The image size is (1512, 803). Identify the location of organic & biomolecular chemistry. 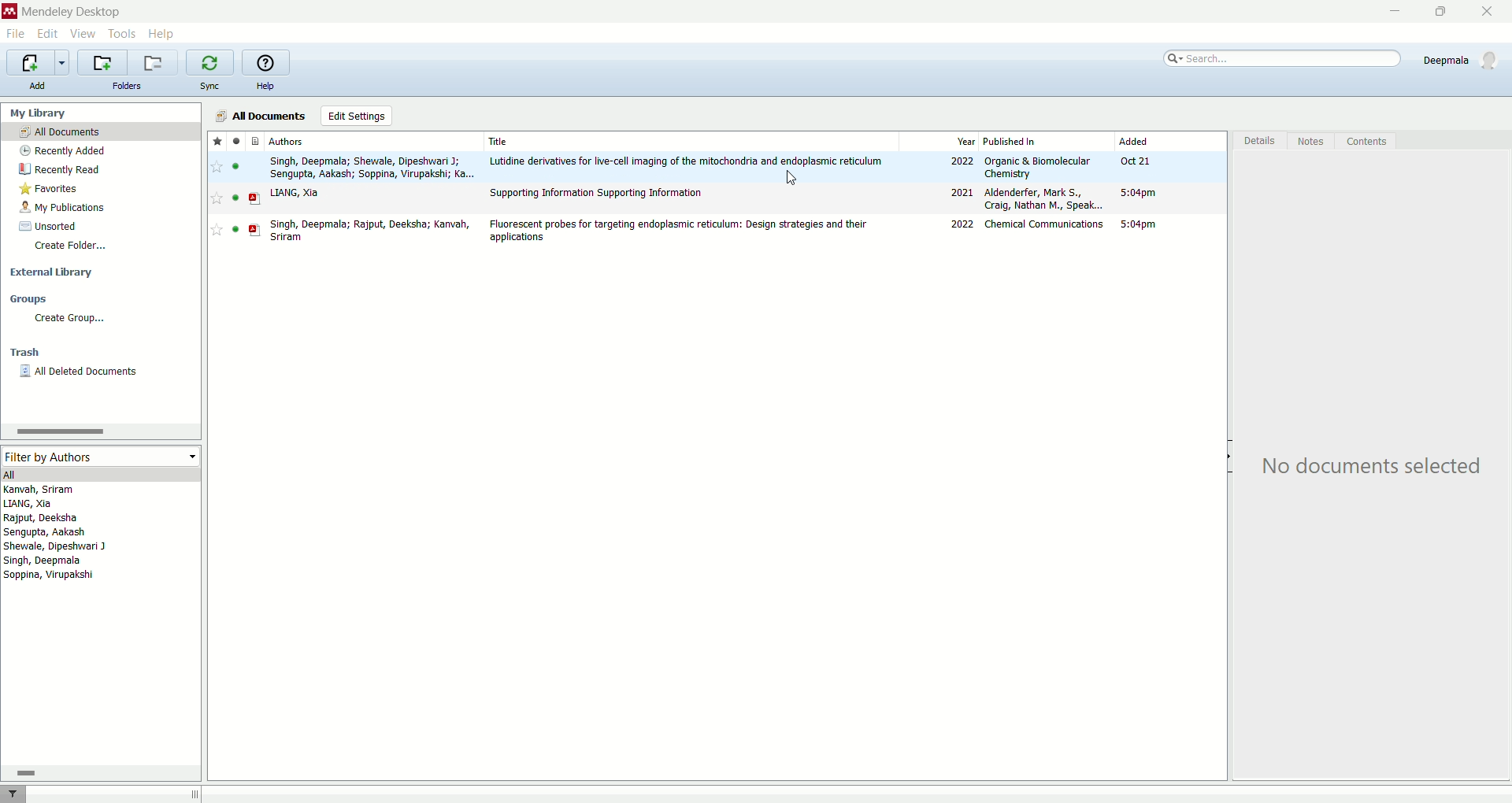
(1037, 168).